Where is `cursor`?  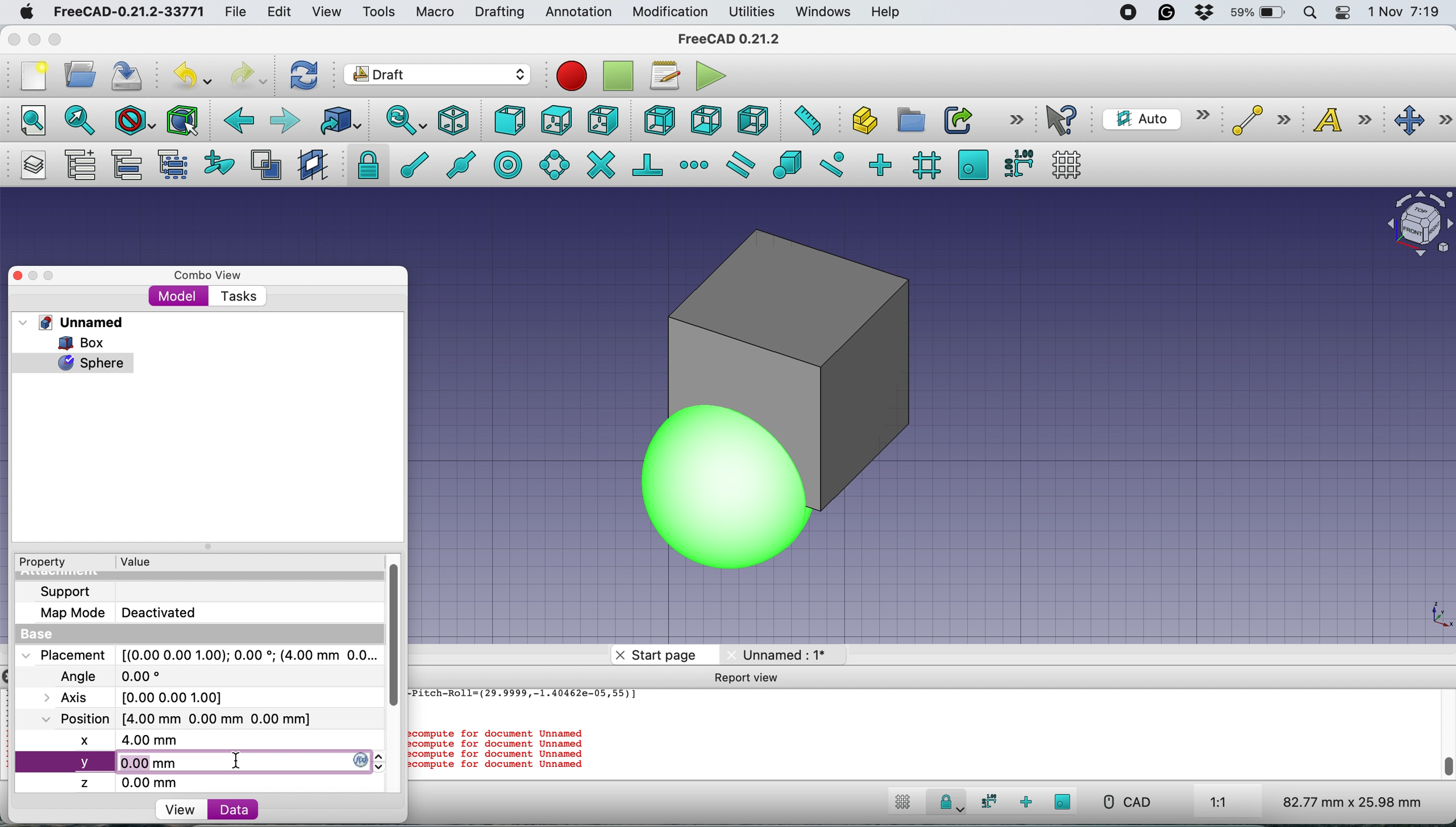
cursor is located at coordinates (242, 762).